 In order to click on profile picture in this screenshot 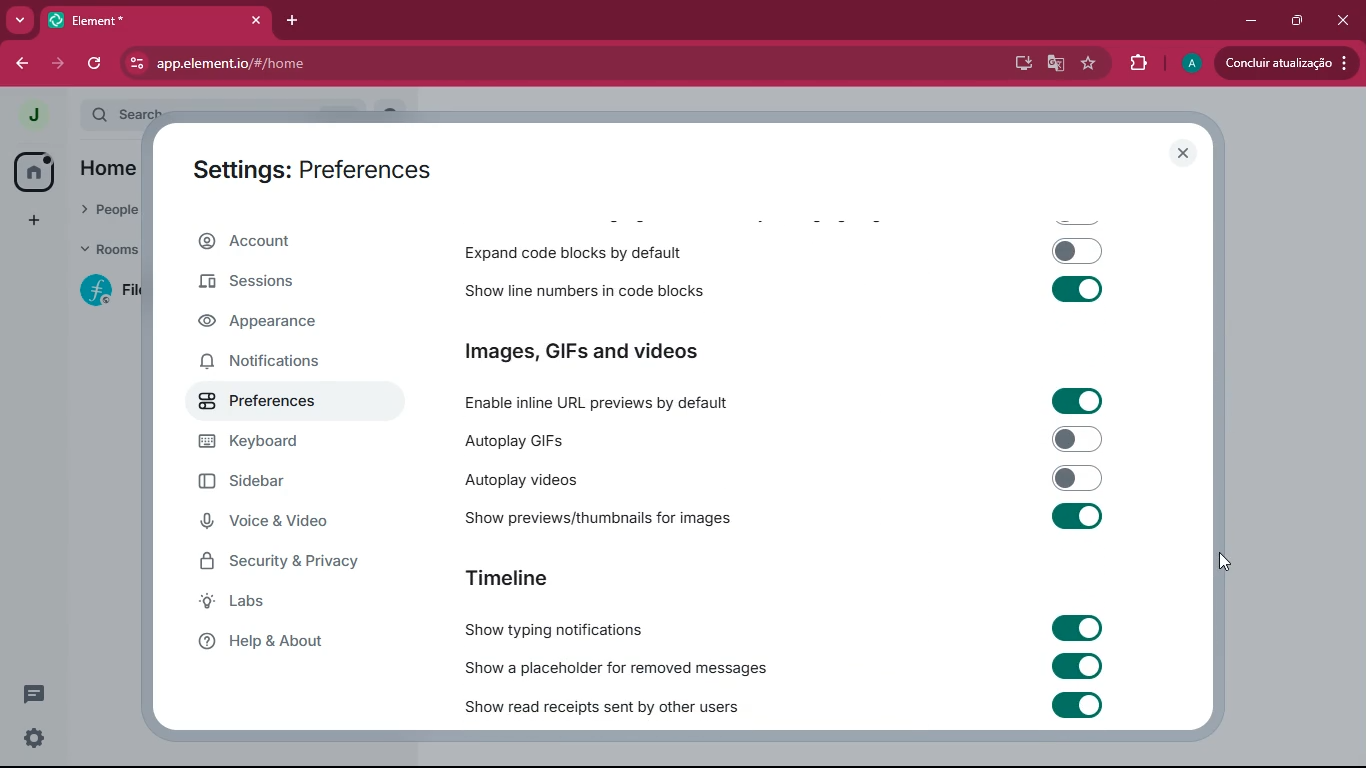, I will do `click(32, 115)`.